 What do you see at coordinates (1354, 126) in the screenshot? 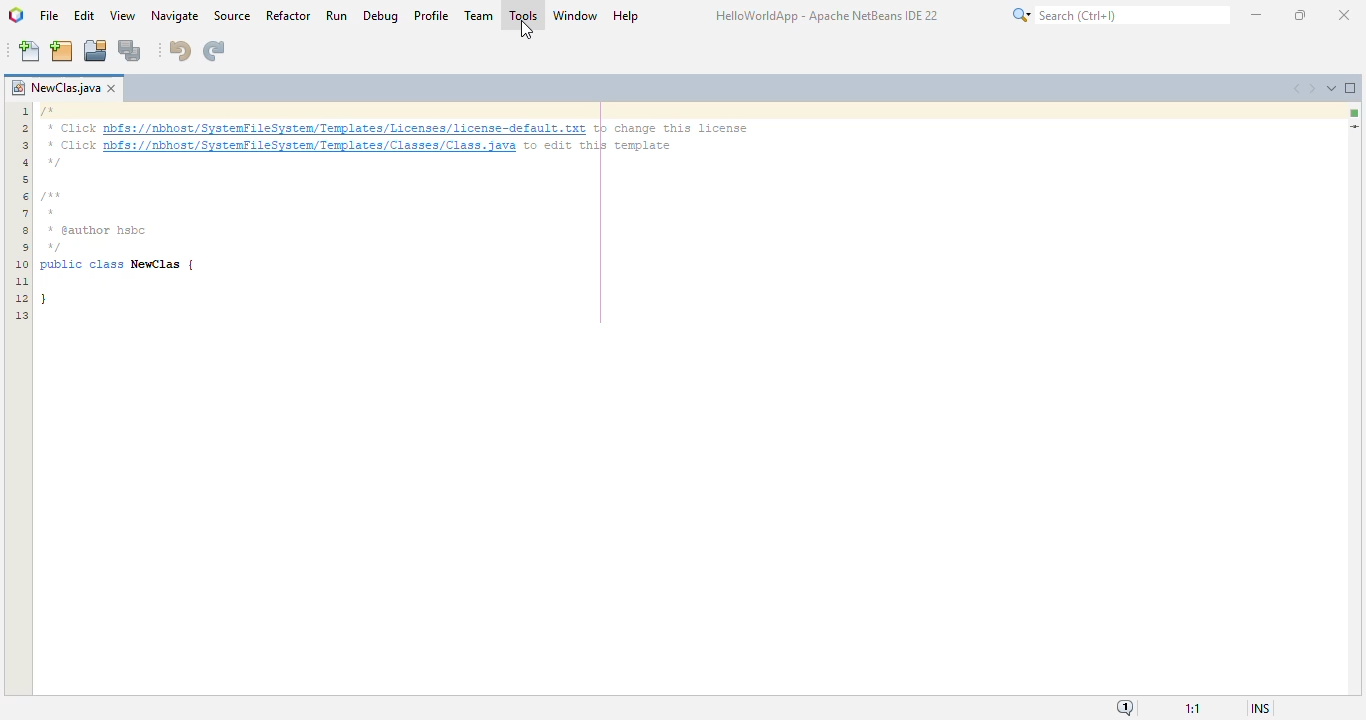
I see `current line` at bounding box center [1354, 126].